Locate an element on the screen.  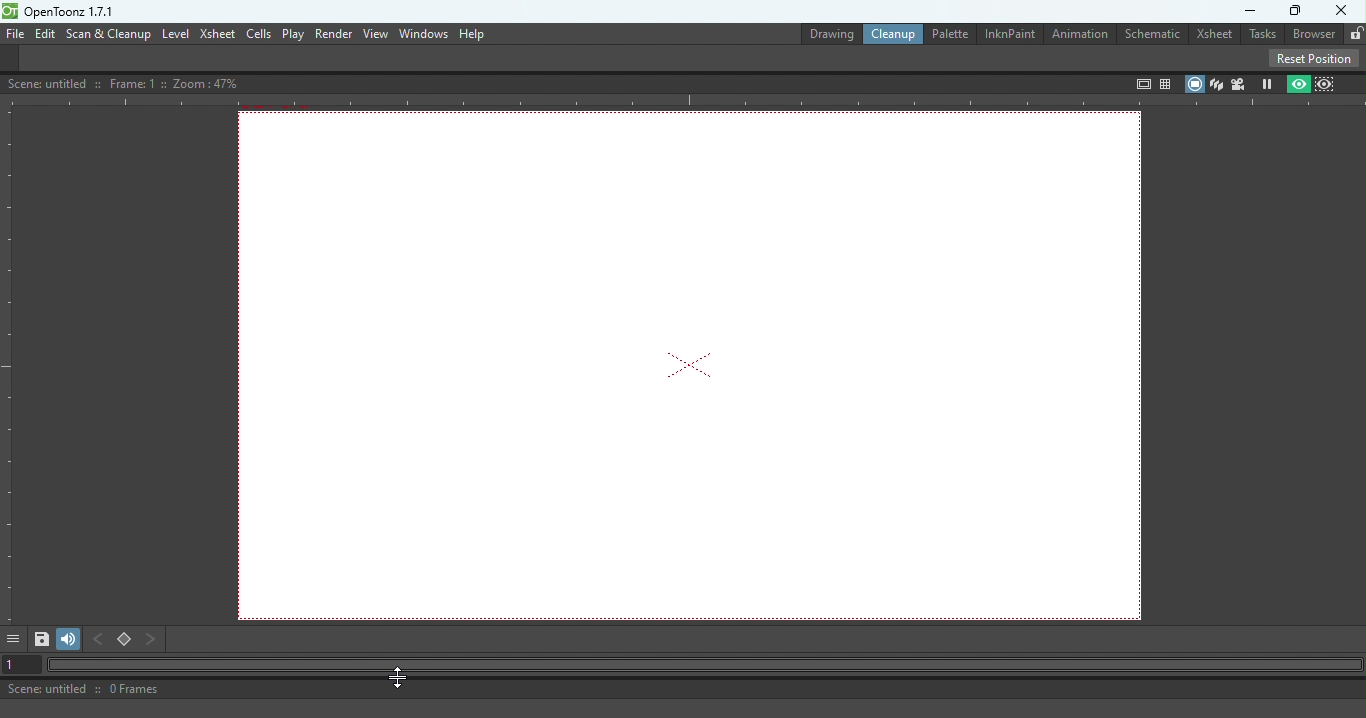
View is located at coordinates (375, 34).